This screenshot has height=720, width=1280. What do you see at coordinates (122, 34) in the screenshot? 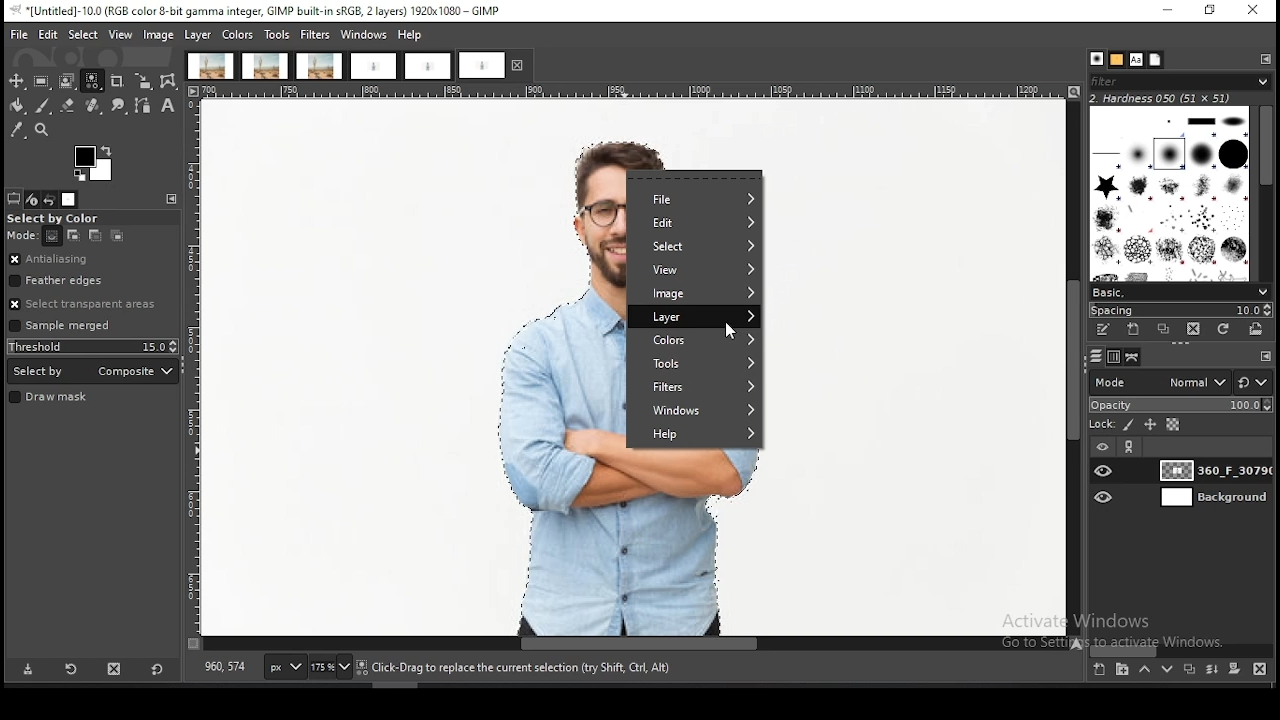
I see `view` at bounding box center [122, 34].